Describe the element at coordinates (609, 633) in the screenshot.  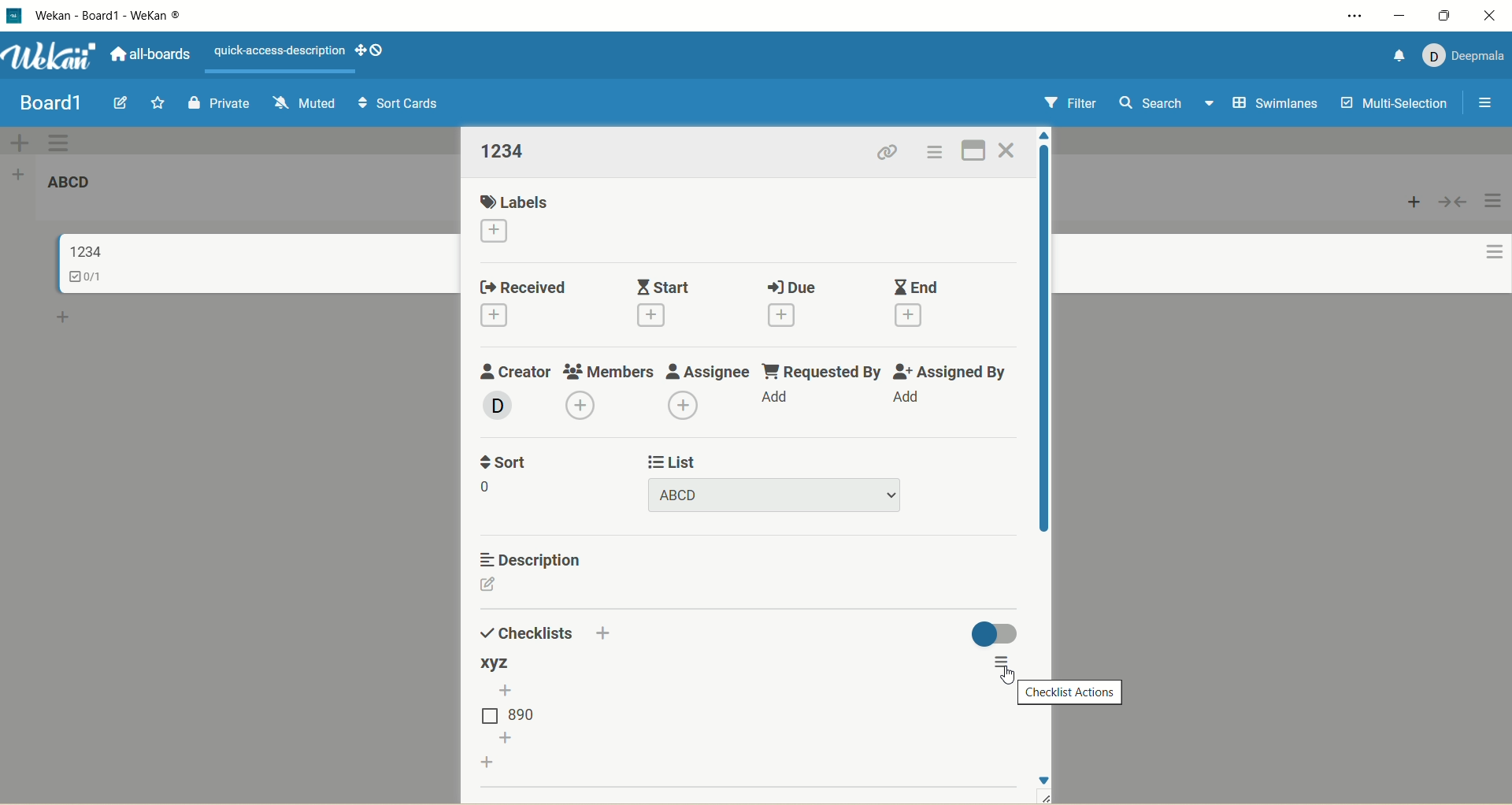
I see `add` at that location.